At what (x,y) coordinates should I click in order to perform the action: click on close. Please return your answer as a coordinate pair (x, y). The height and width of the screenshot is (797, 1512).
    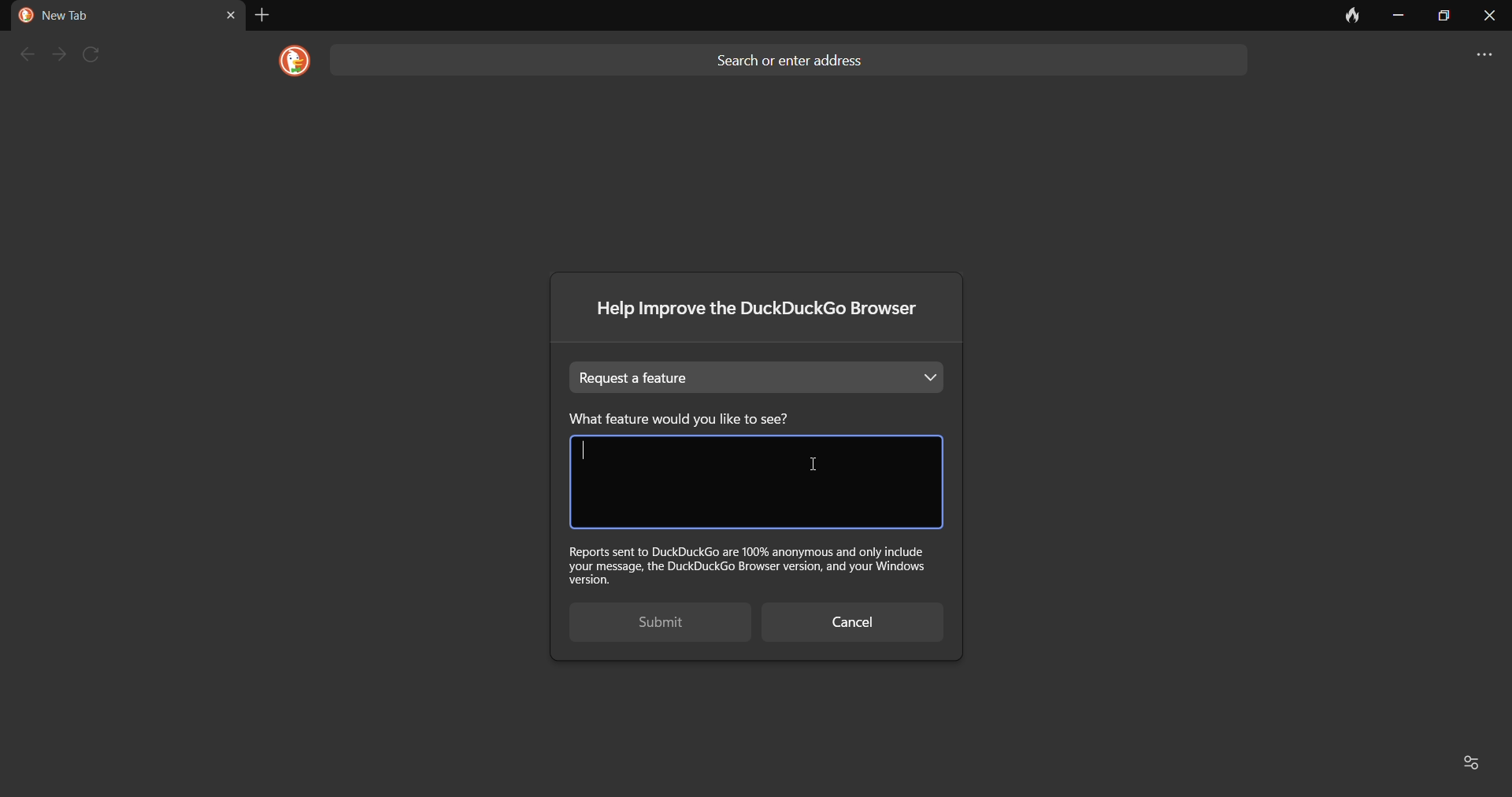
    Looking at the image, I should click on (1489, 20).